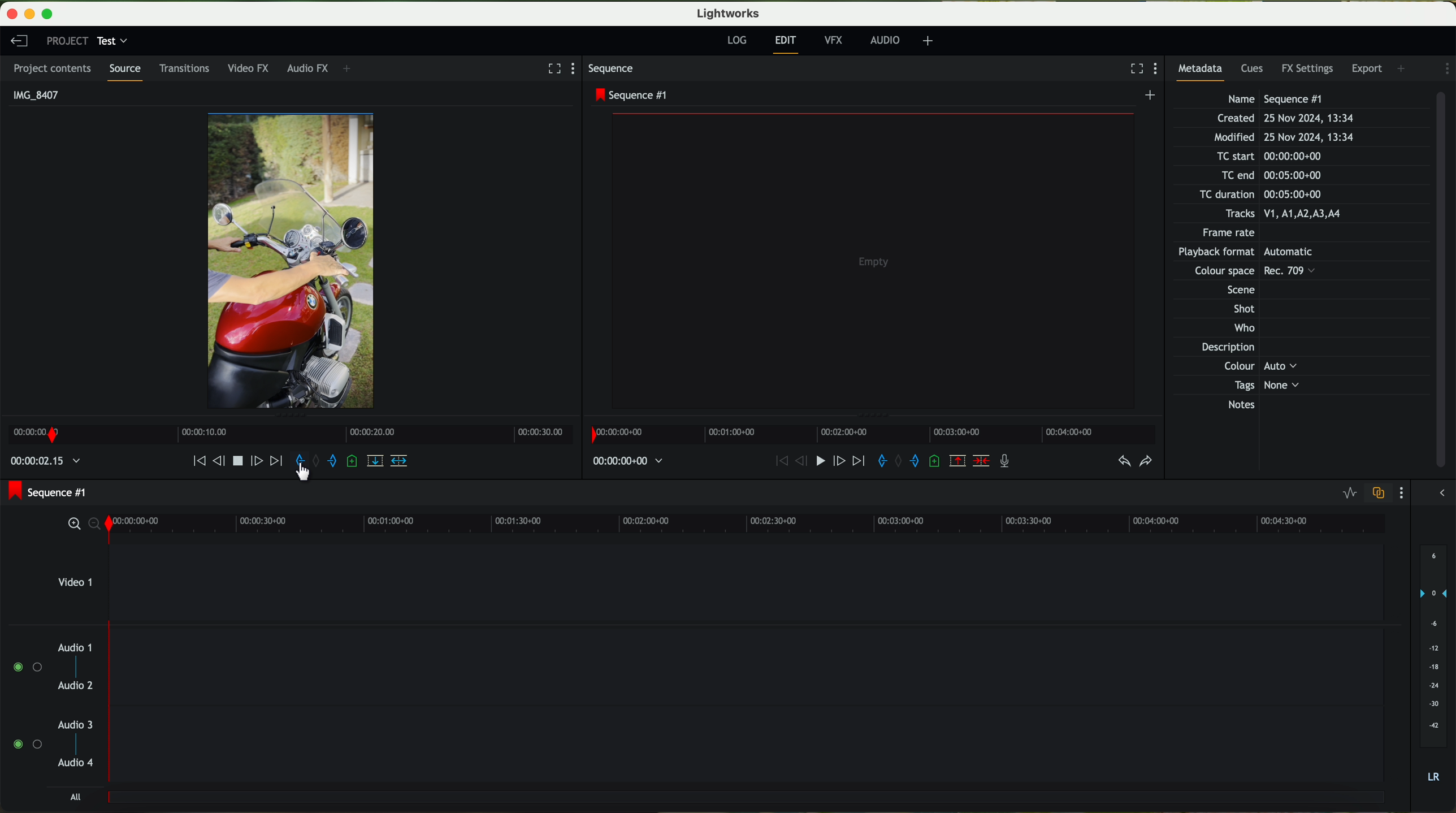  Describe the element at coordinates (1158, 70) in the screenshot. I see `show settings menu` at that location.